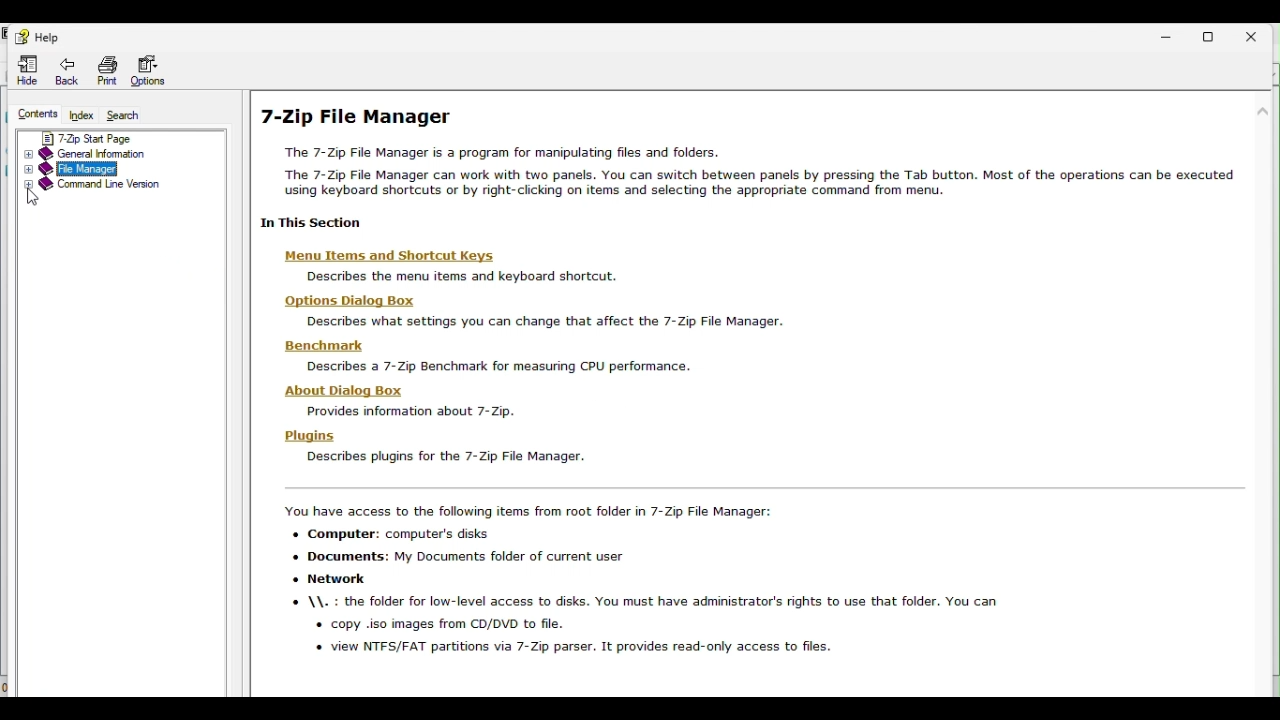  I want to click on Cursor, so click(39, 197).